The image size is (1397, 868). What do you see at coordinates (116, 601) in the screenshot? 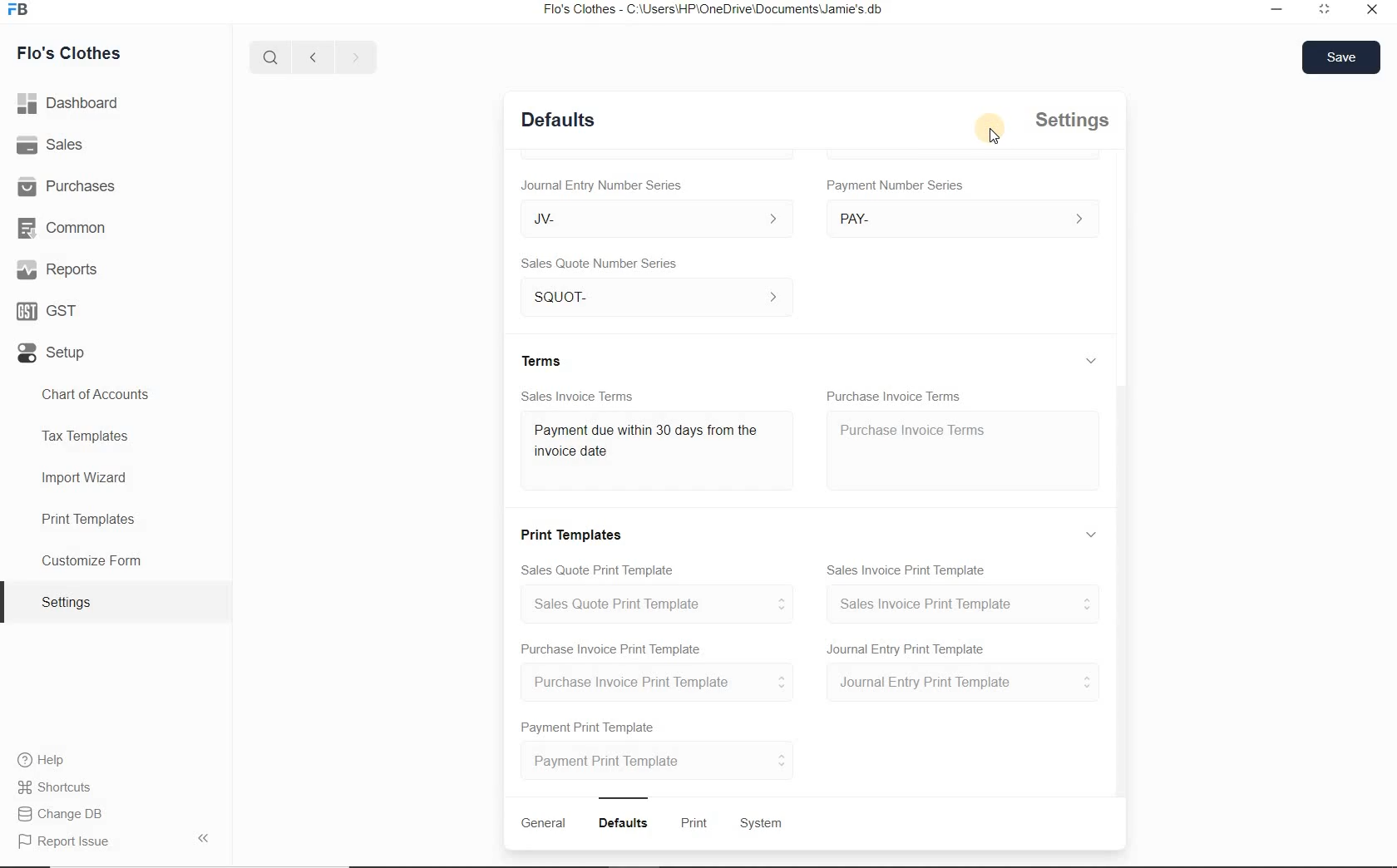
I see `Settings` at bounding box center [116, 601].